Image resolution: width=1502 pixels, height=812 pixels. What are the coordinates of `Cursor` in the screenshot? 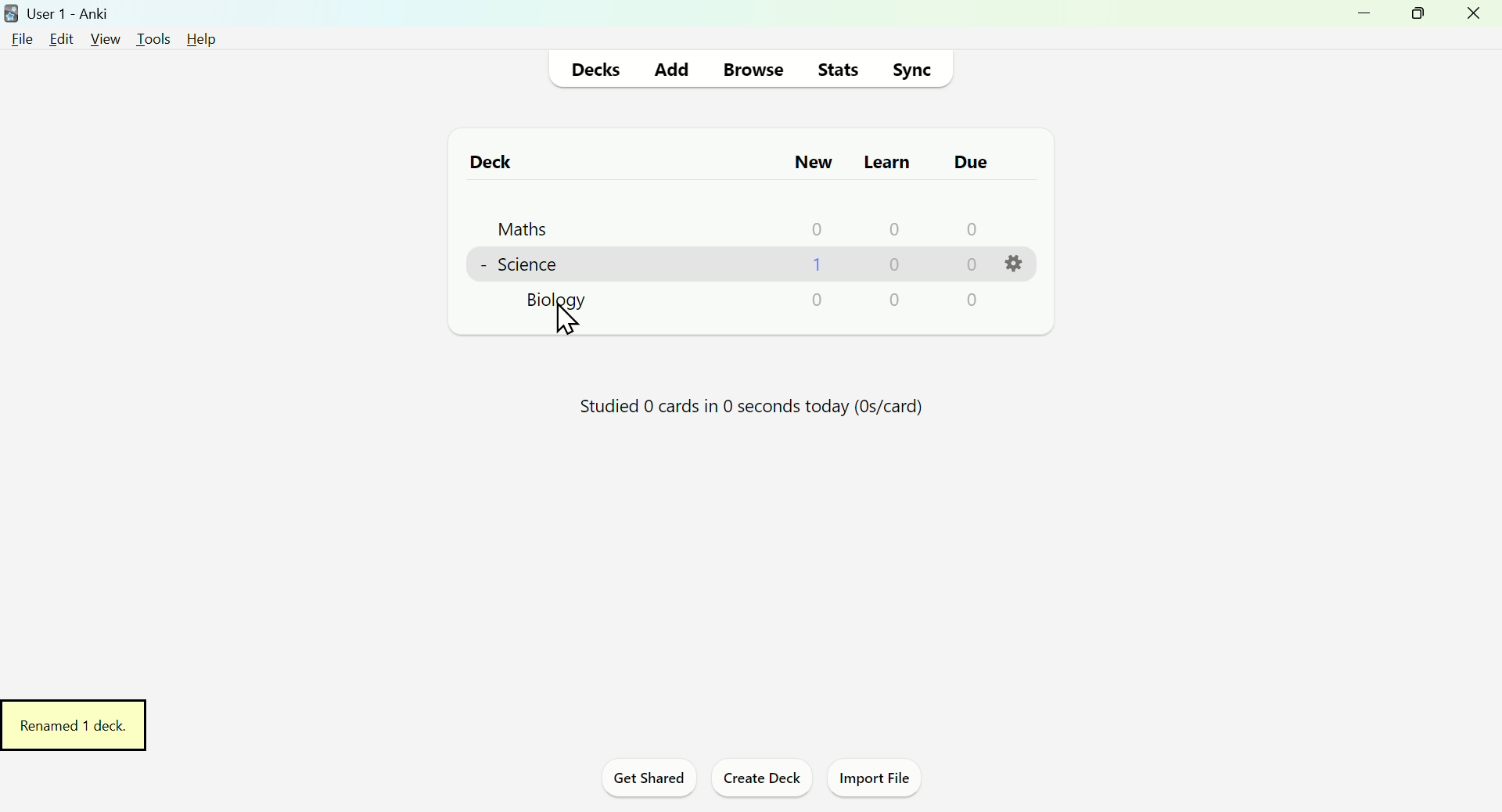 It's located at (566, 322).